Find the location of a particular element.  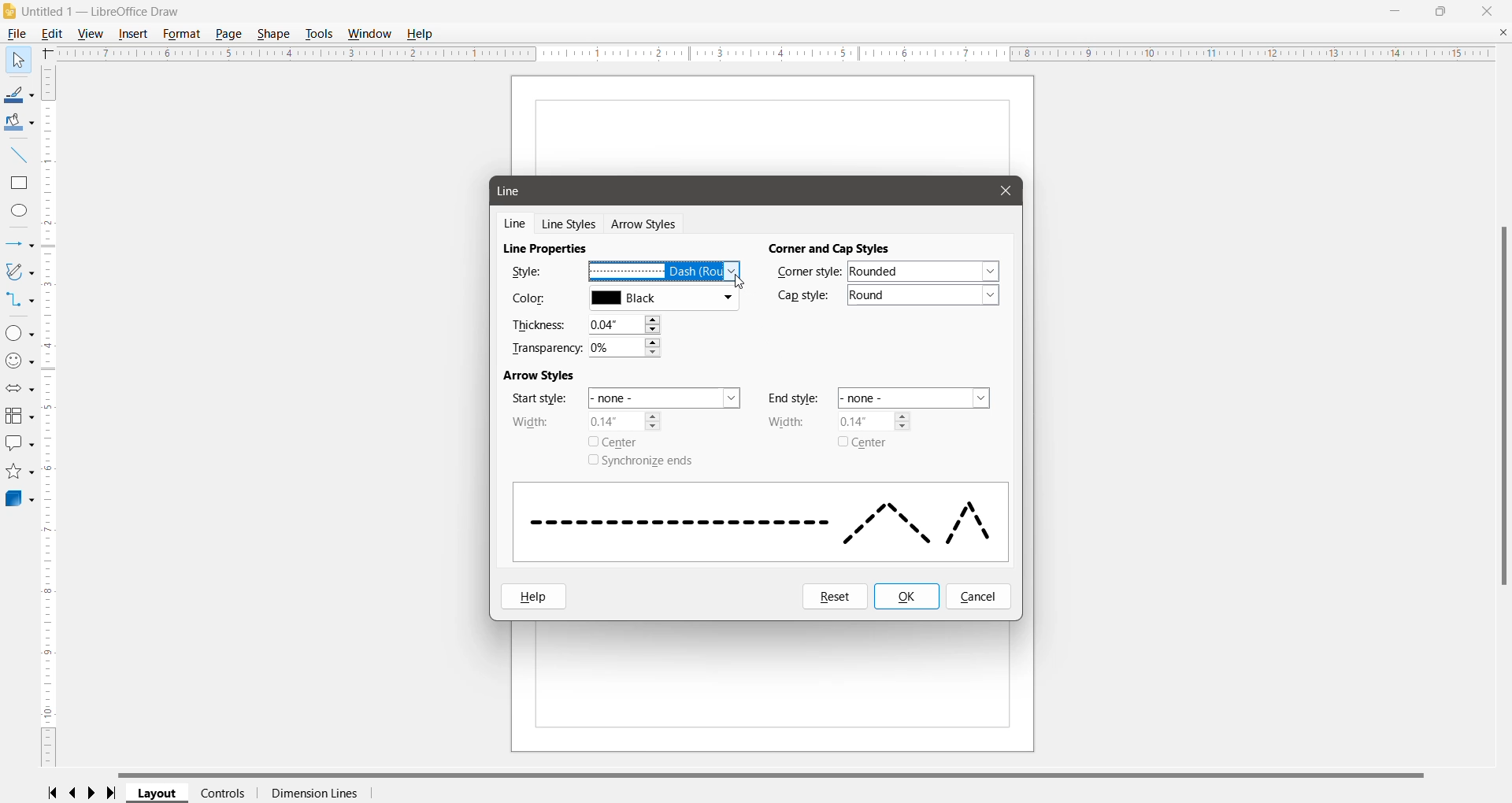

Line is located at coordinates (516, 224).